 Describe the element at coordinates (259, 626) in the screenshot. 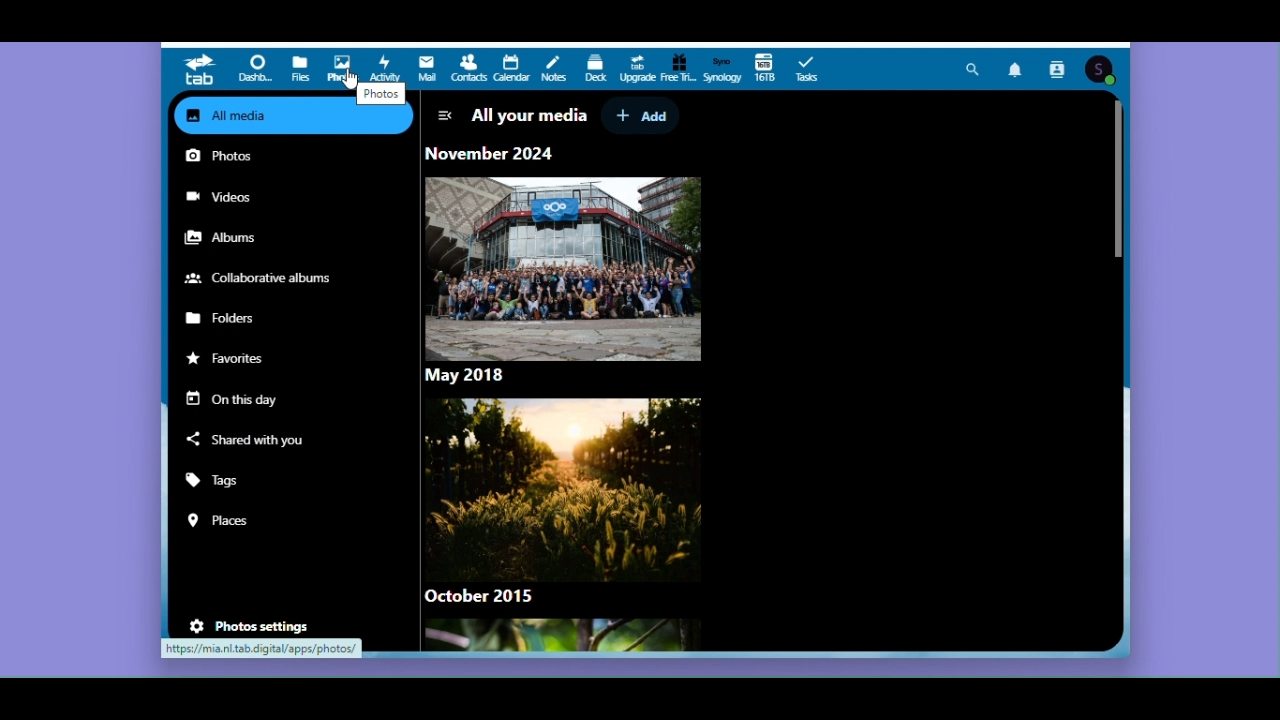

I see `Photo settings` at that location.